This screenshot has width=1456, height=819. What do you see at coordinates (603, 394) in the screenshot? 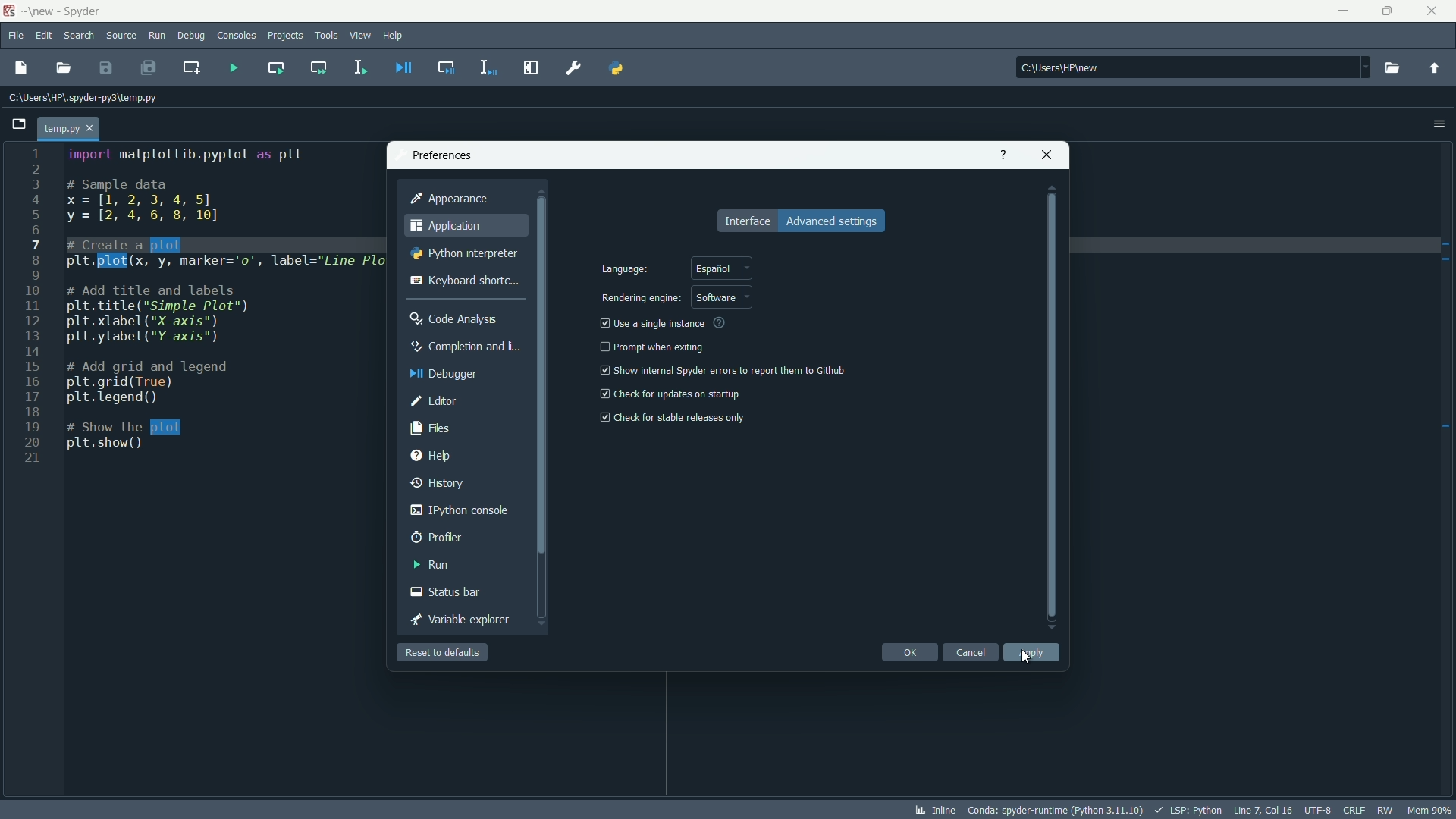
I see `checkbox` at bounding box center [603, 394].